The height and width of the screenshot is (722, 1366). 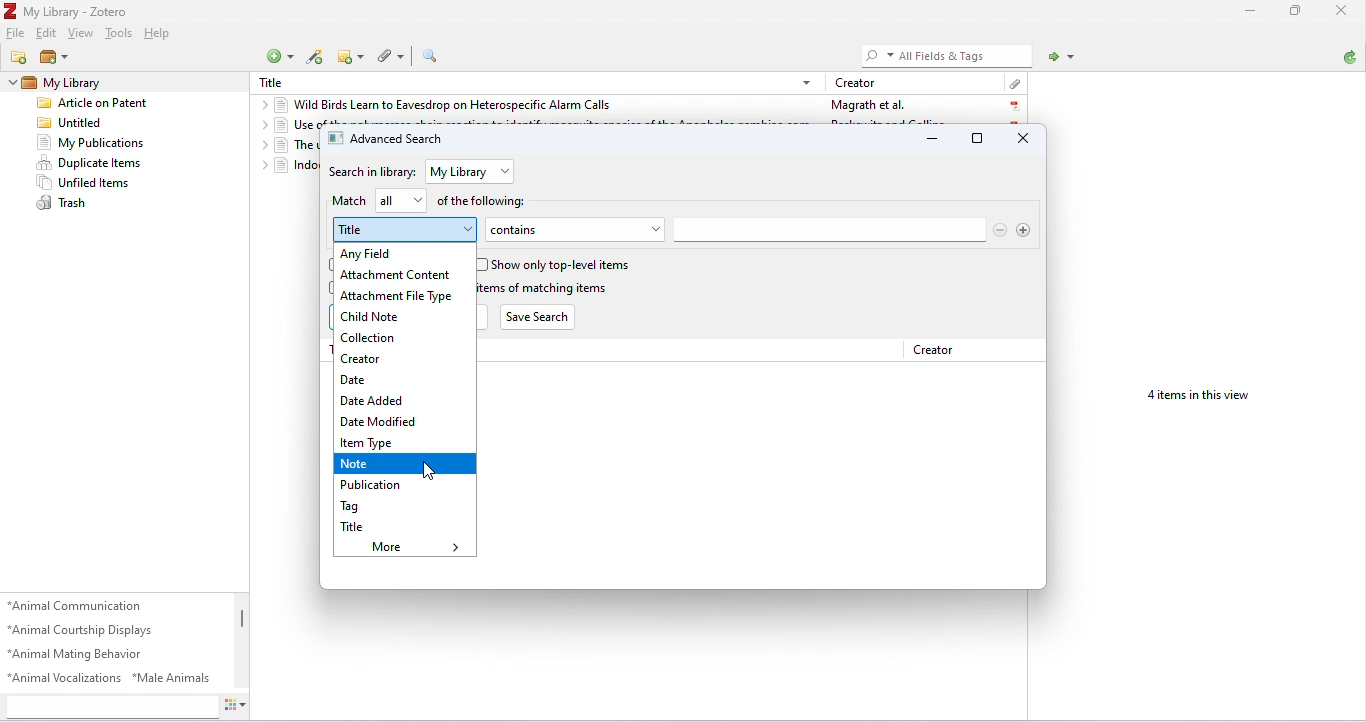 What do you see at coordinates (262, 104) in the screenshot?
I see `drop-down` at bounding box center [262, 104].